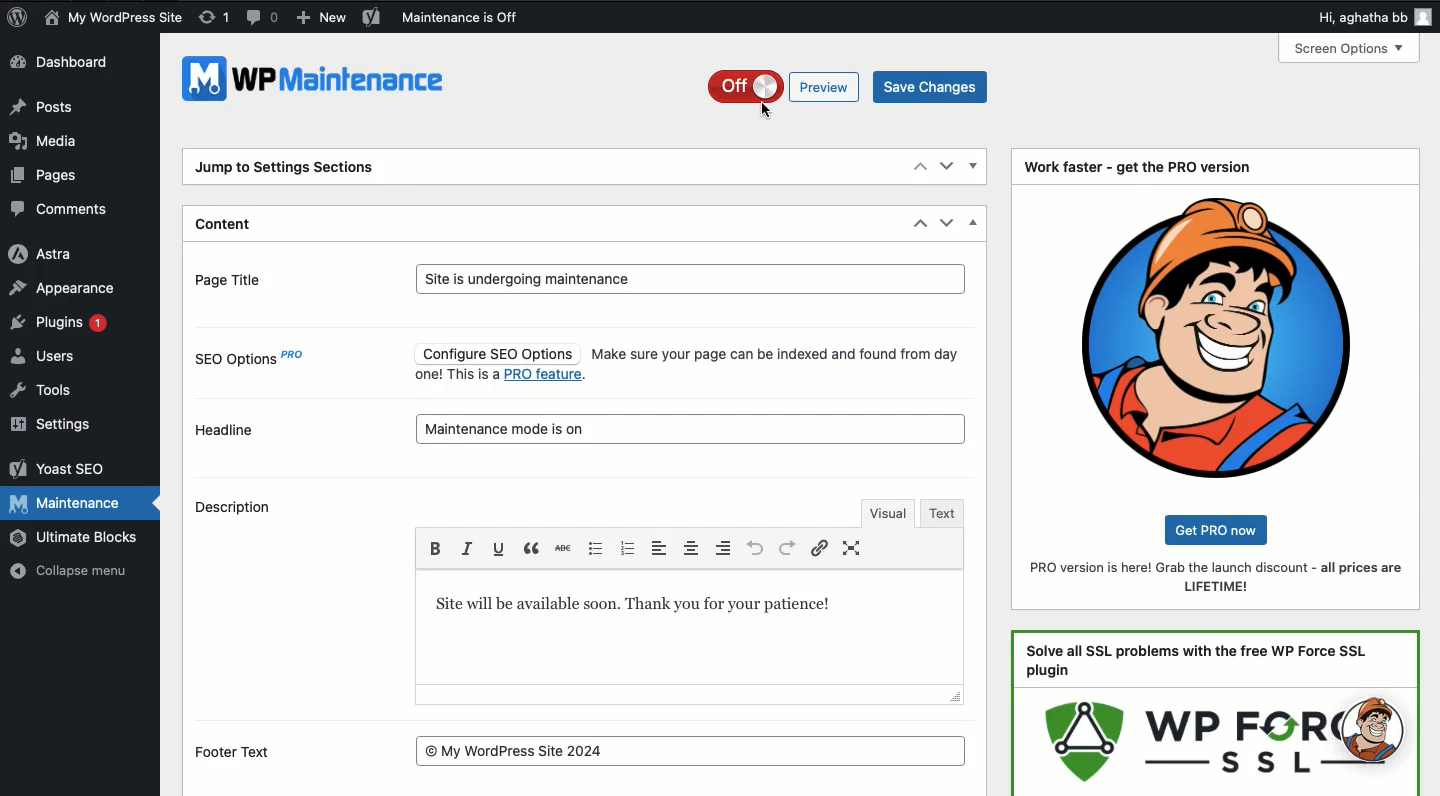  Describe the element at coordinates (741, 86) in the screenshot. I see `Off` at that location.